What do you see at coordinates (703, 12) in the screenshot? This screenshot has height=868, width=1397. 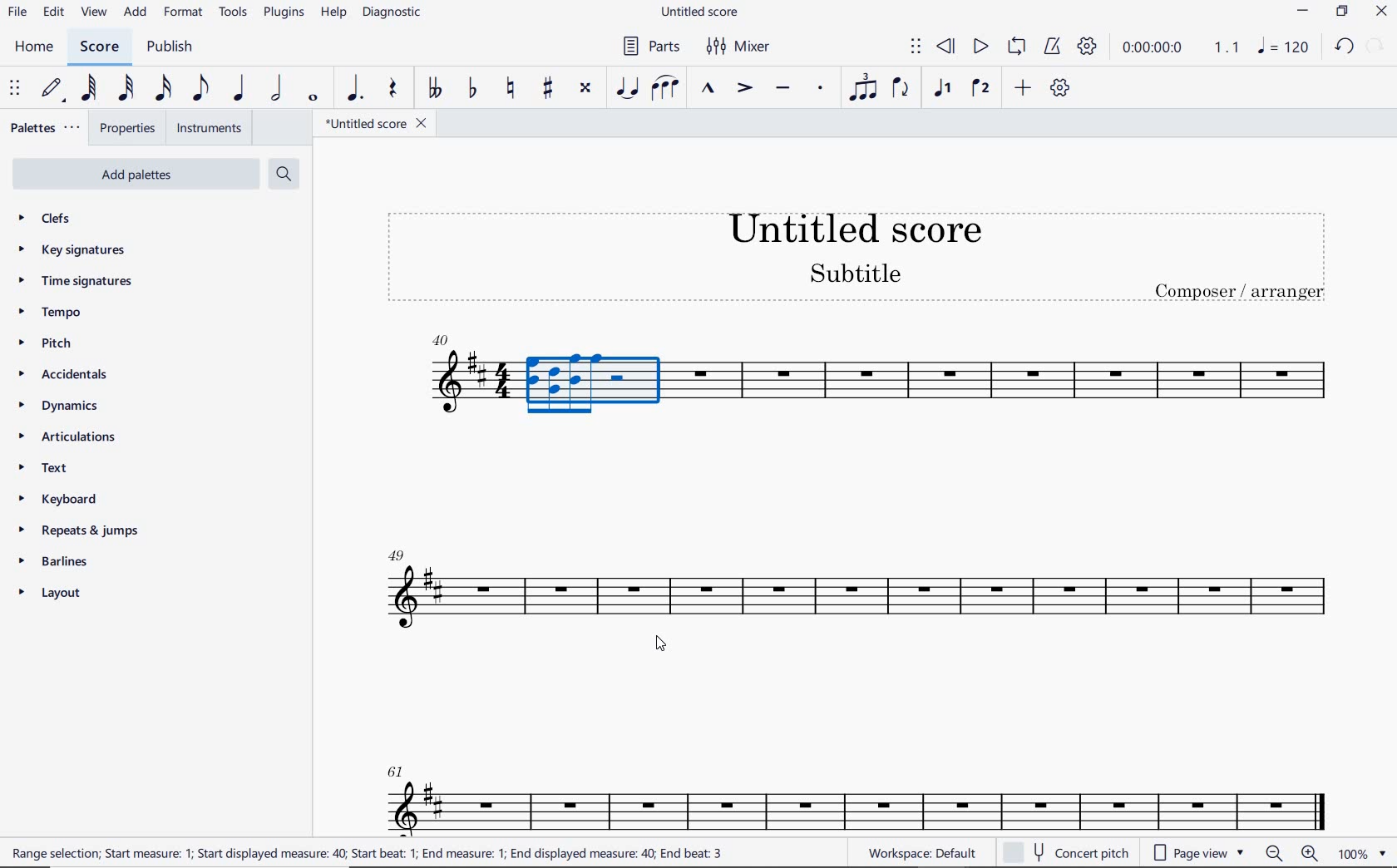 I see `FILE NAME` at bounding box center [703, 12].